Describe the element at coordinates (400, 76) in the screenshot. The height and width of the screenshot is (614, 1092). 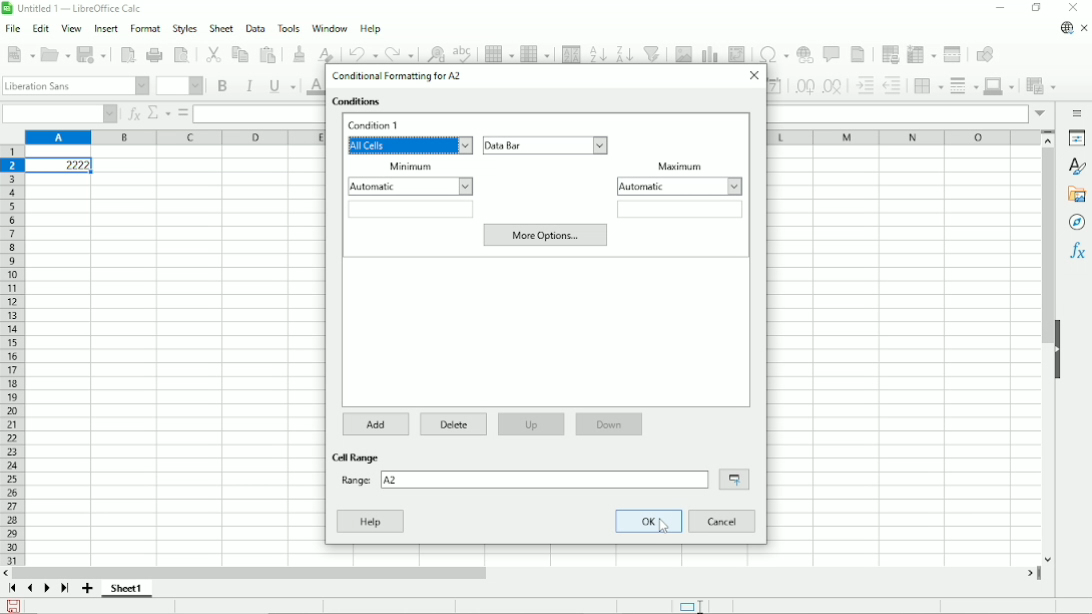
I see `Conditional formatting for A2` at that location.